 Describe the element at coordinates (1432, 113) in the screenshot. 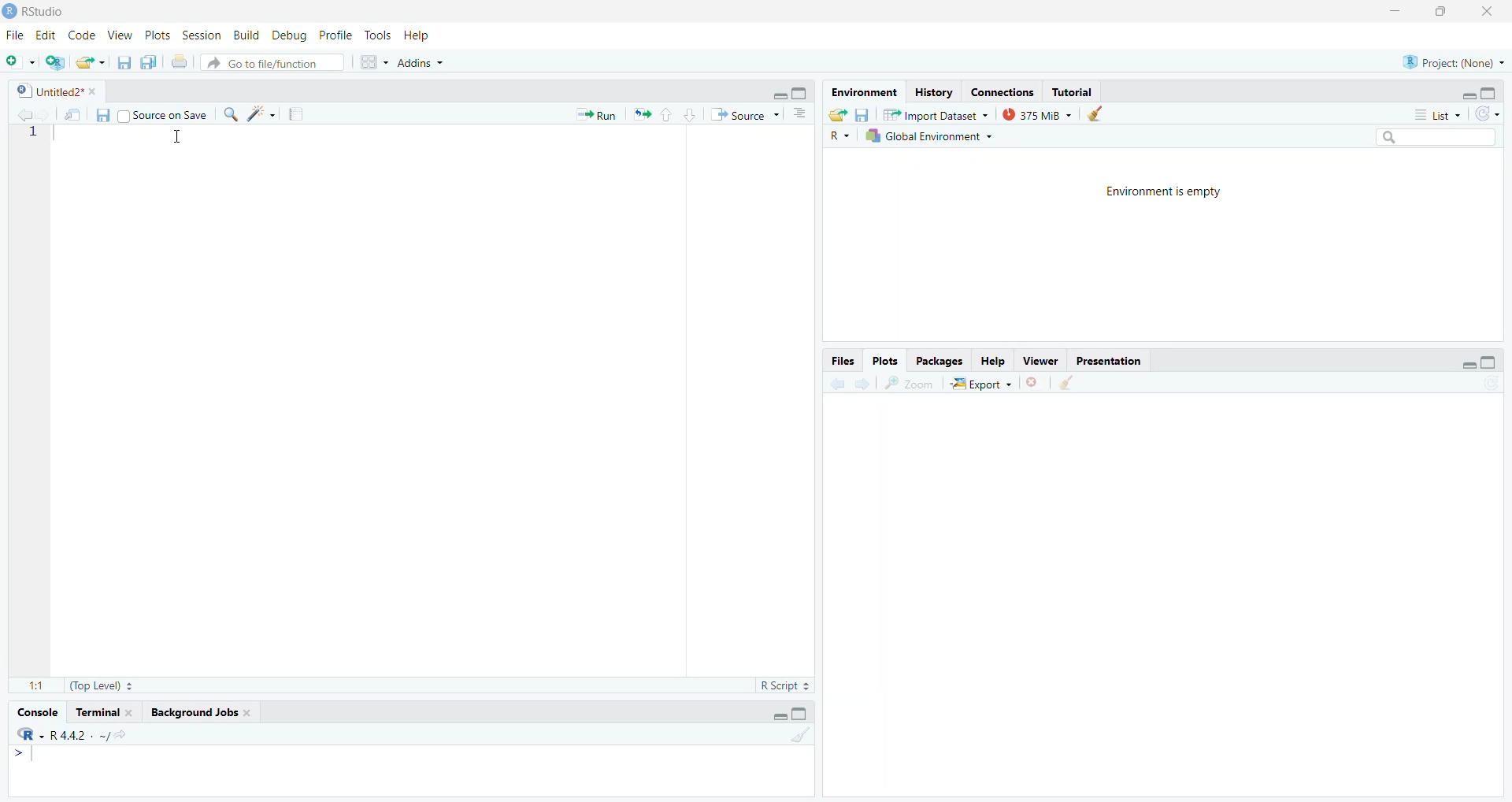

I see `List ` at that location.